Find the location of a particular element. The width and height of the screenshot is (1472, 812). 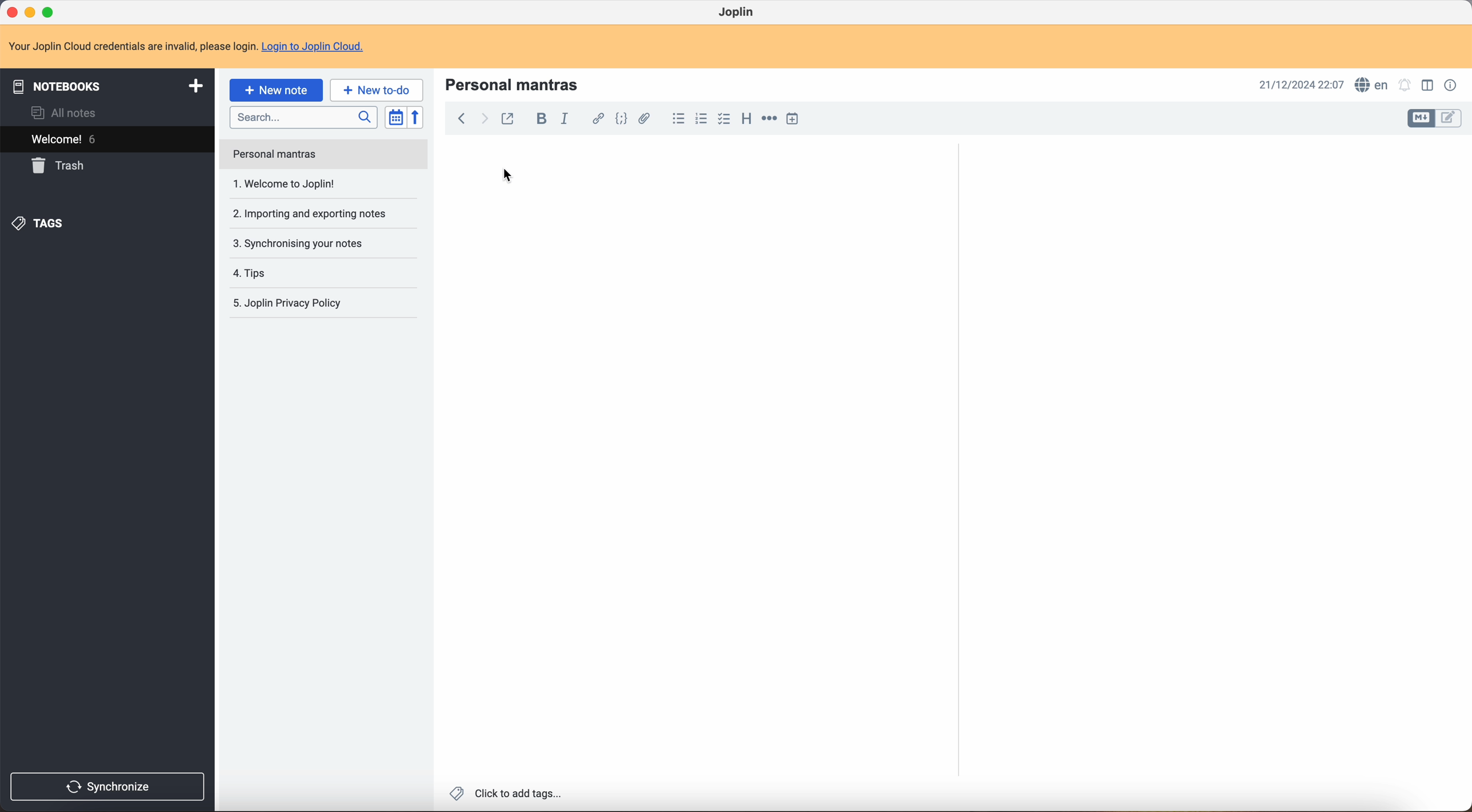

toggle edit layout is located at coordinates (1449, 119).